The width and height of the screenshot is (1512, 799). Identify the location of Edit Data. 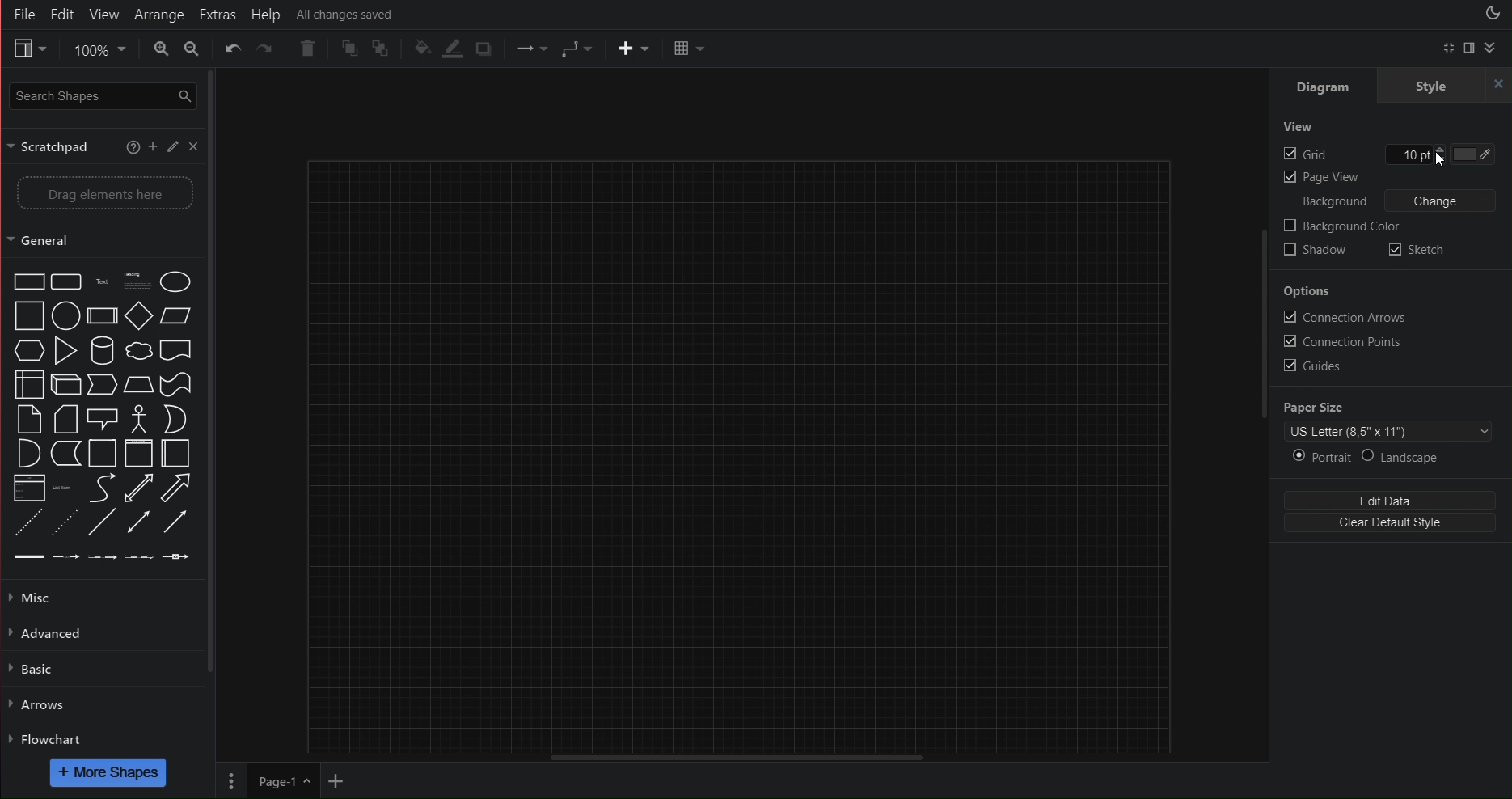
(1387, 501).